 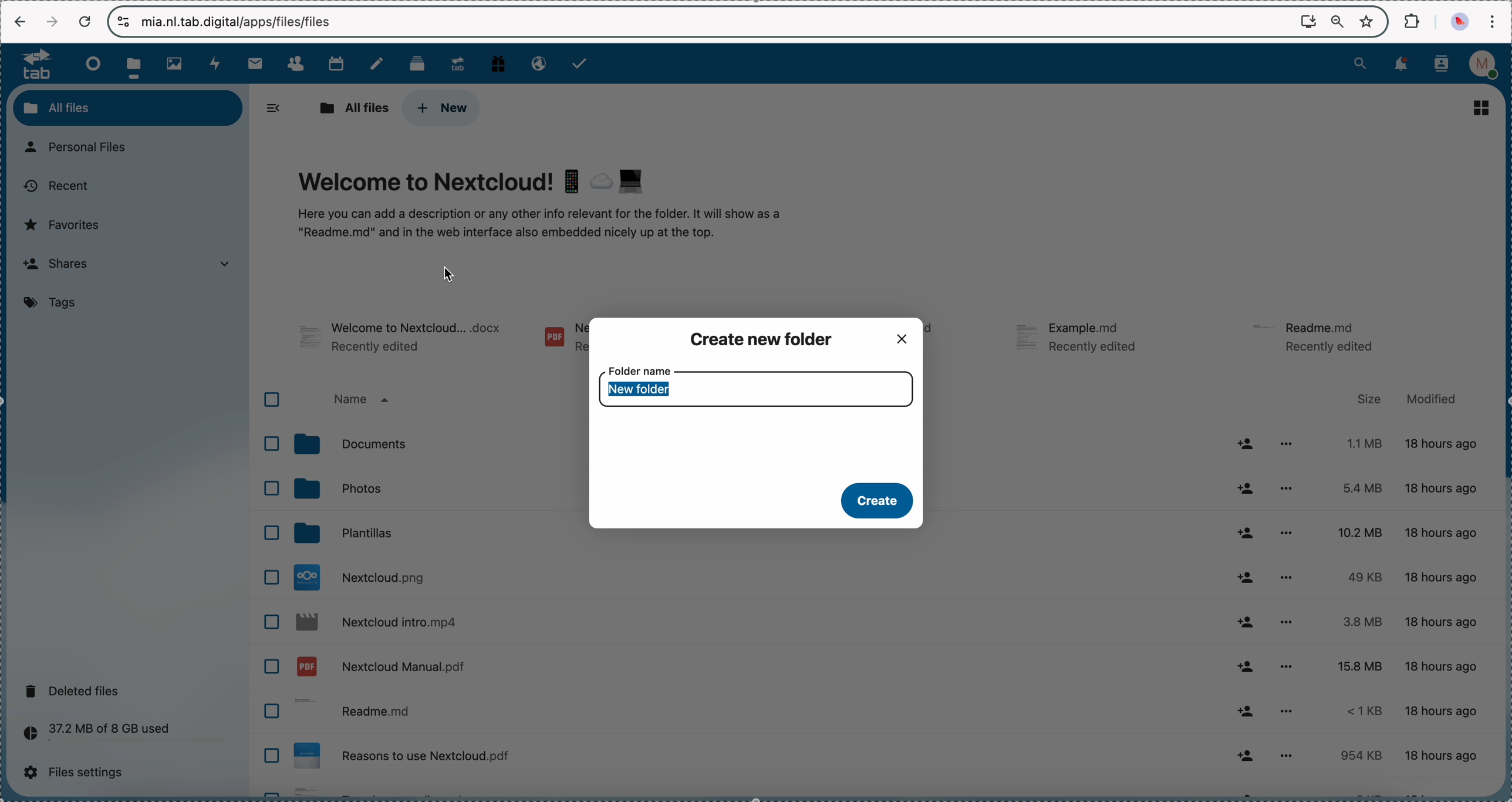 I want to click on search, so click(x=1360, y=62).